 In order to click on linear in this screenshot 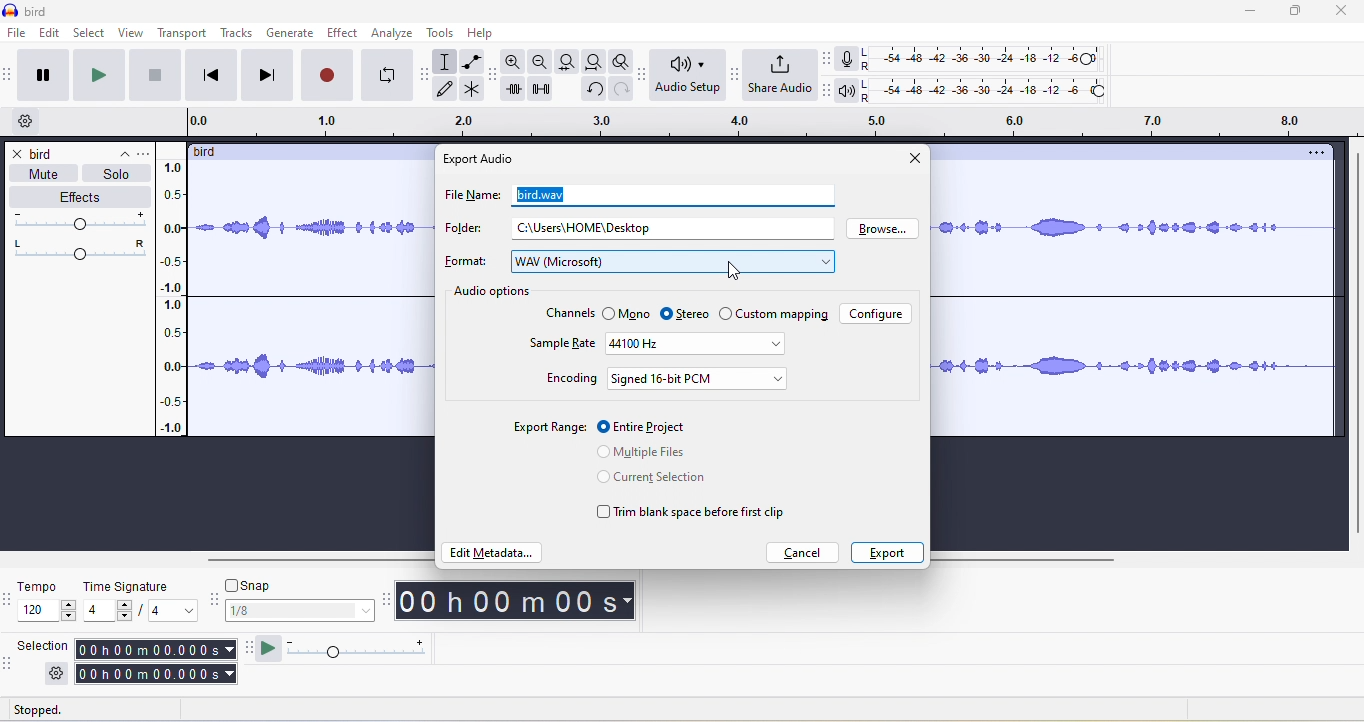, I will do `click(175, 301)`.